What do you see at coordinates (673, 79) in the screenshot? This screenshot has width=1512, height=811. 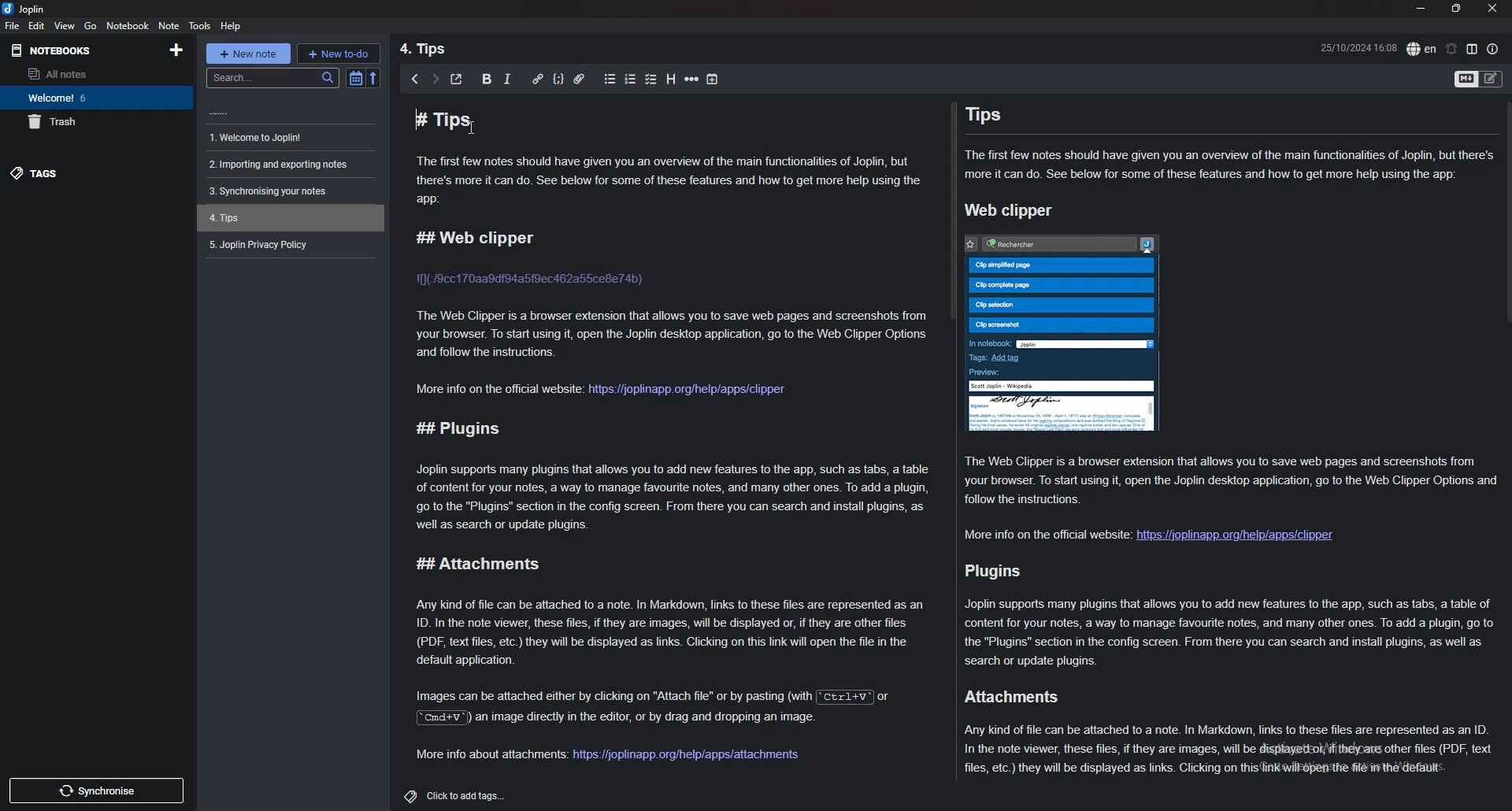 I see `heading` at bounding box center [673, 79].